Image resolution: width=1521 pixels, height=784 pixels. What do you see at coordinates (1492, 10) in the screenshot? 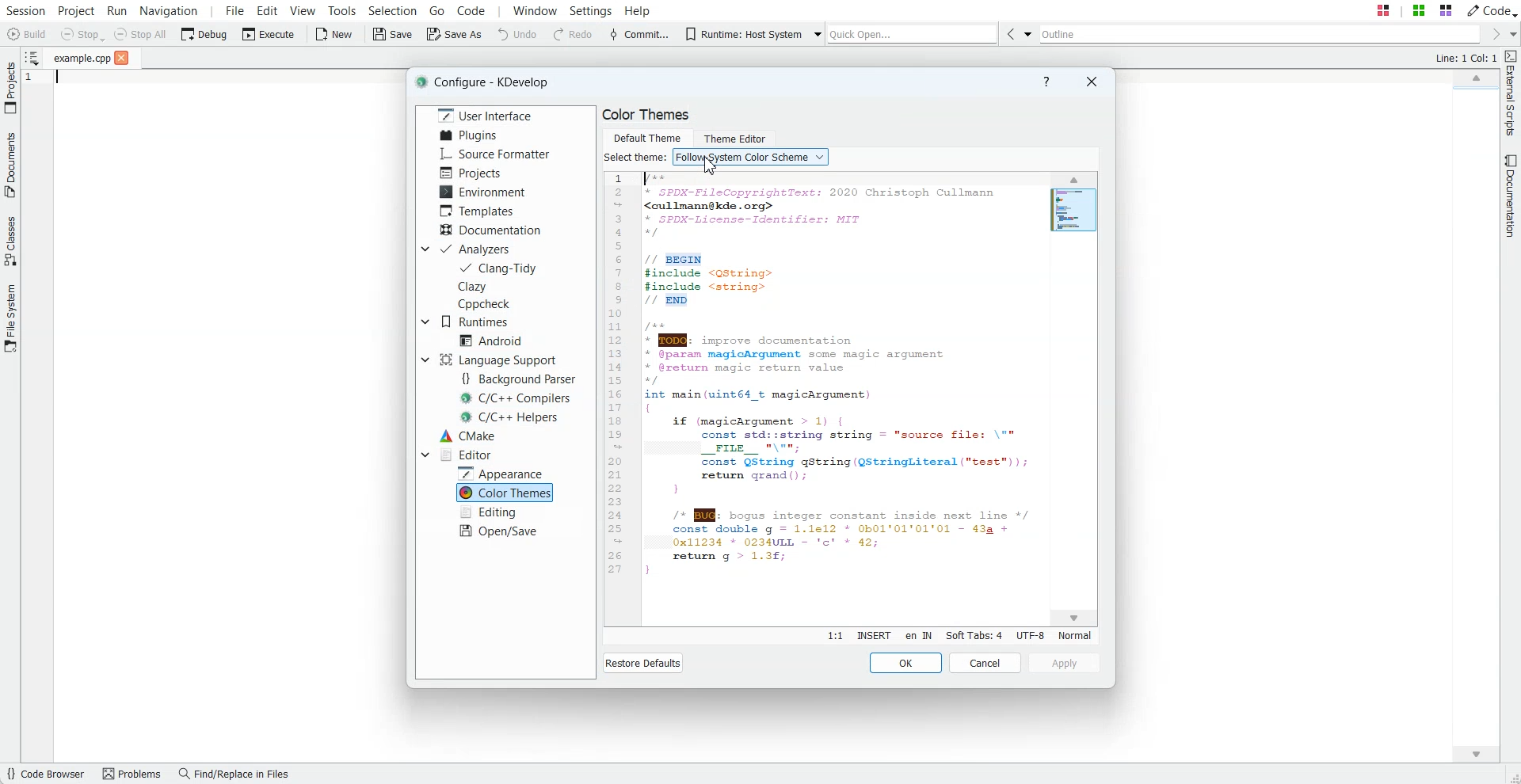
I see `Code` at bounding box center [1492, 10].